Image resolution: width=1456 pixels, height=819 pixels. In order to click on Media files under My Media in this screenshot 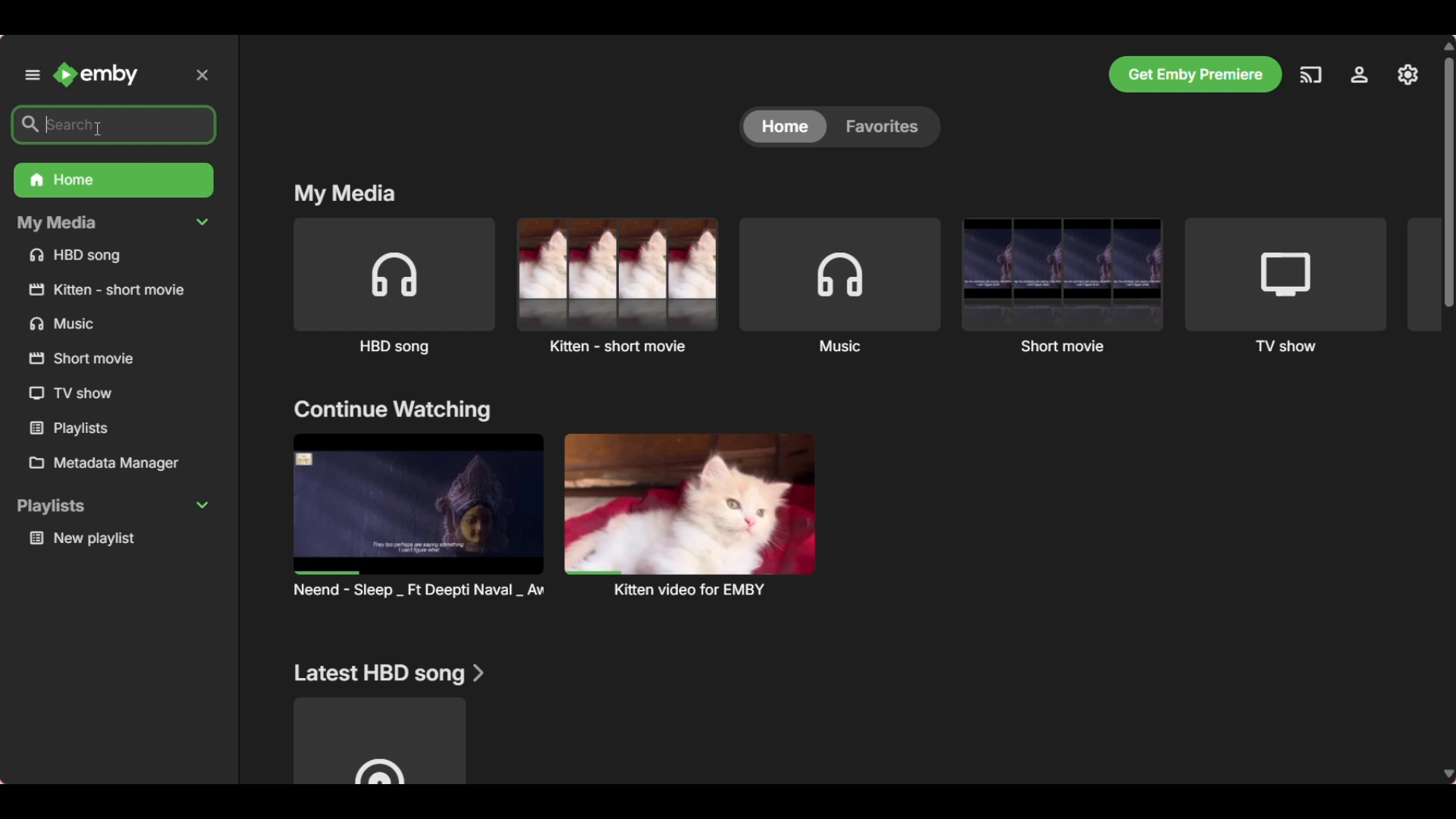, I will do `click(115, 254)`.